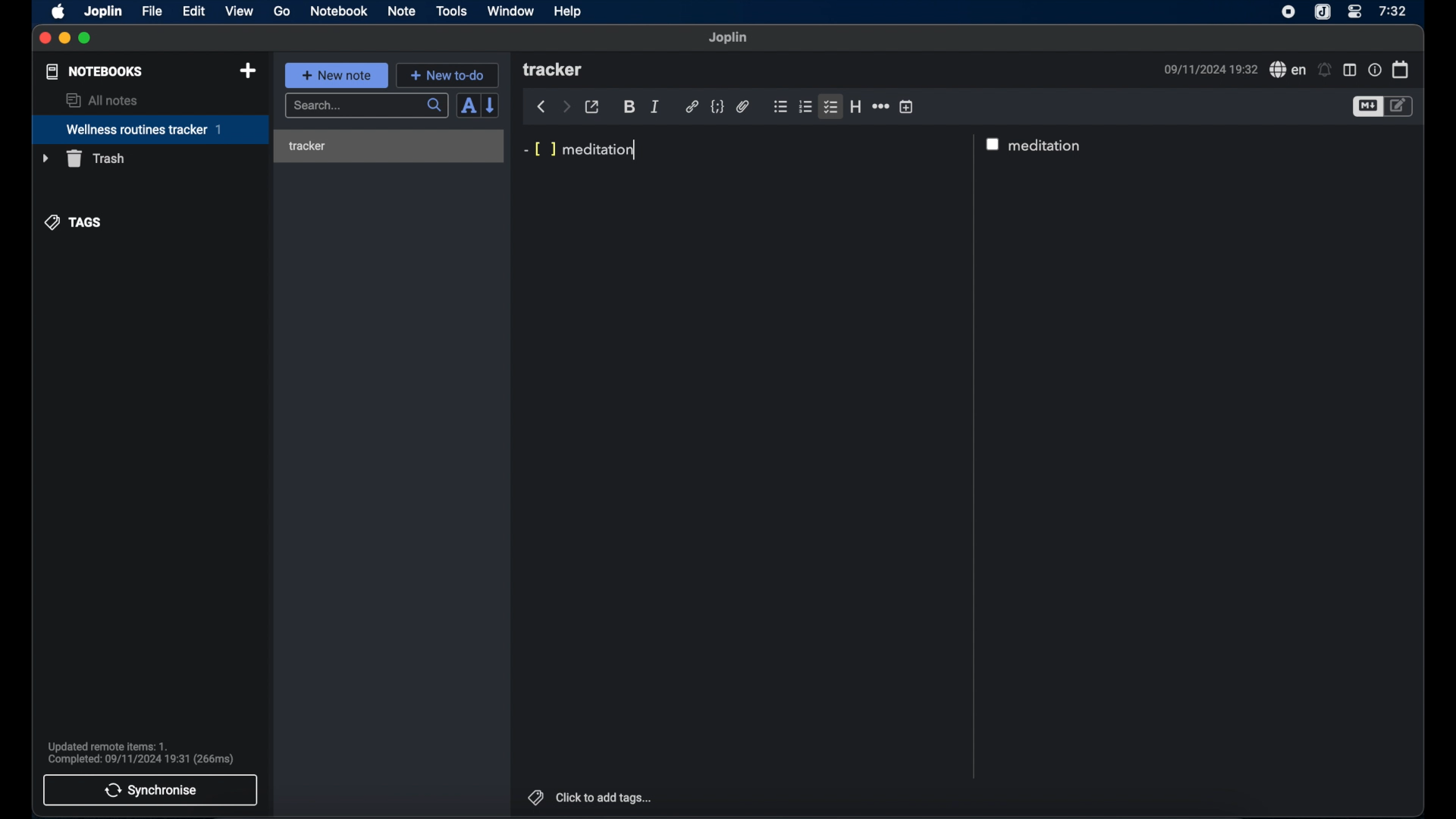 The image size is (1456, 819). I want to click on tags, so click(533, 795).